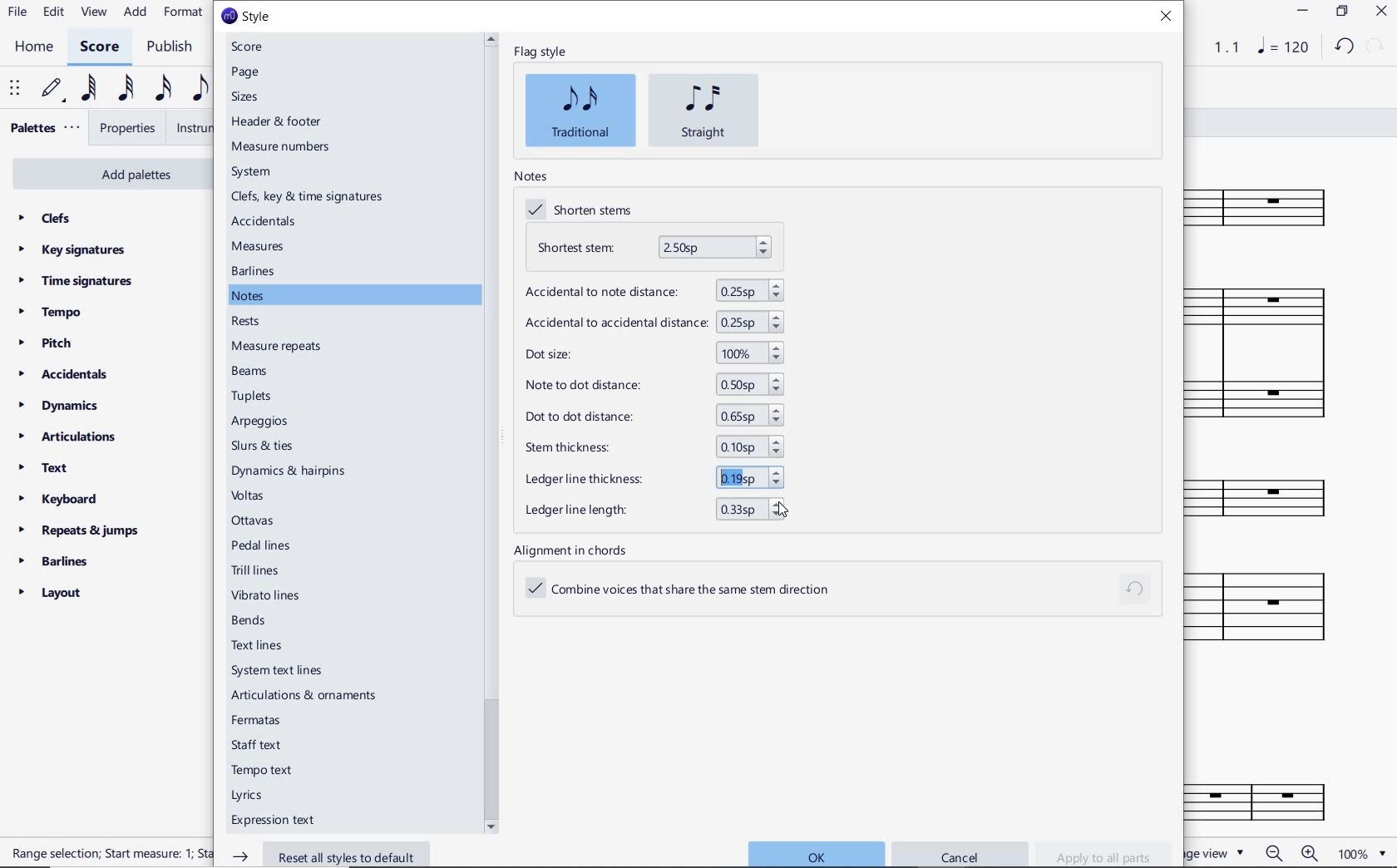 This screenshot has height=868, width=1397. I want to click on close, so click(1166, 17).